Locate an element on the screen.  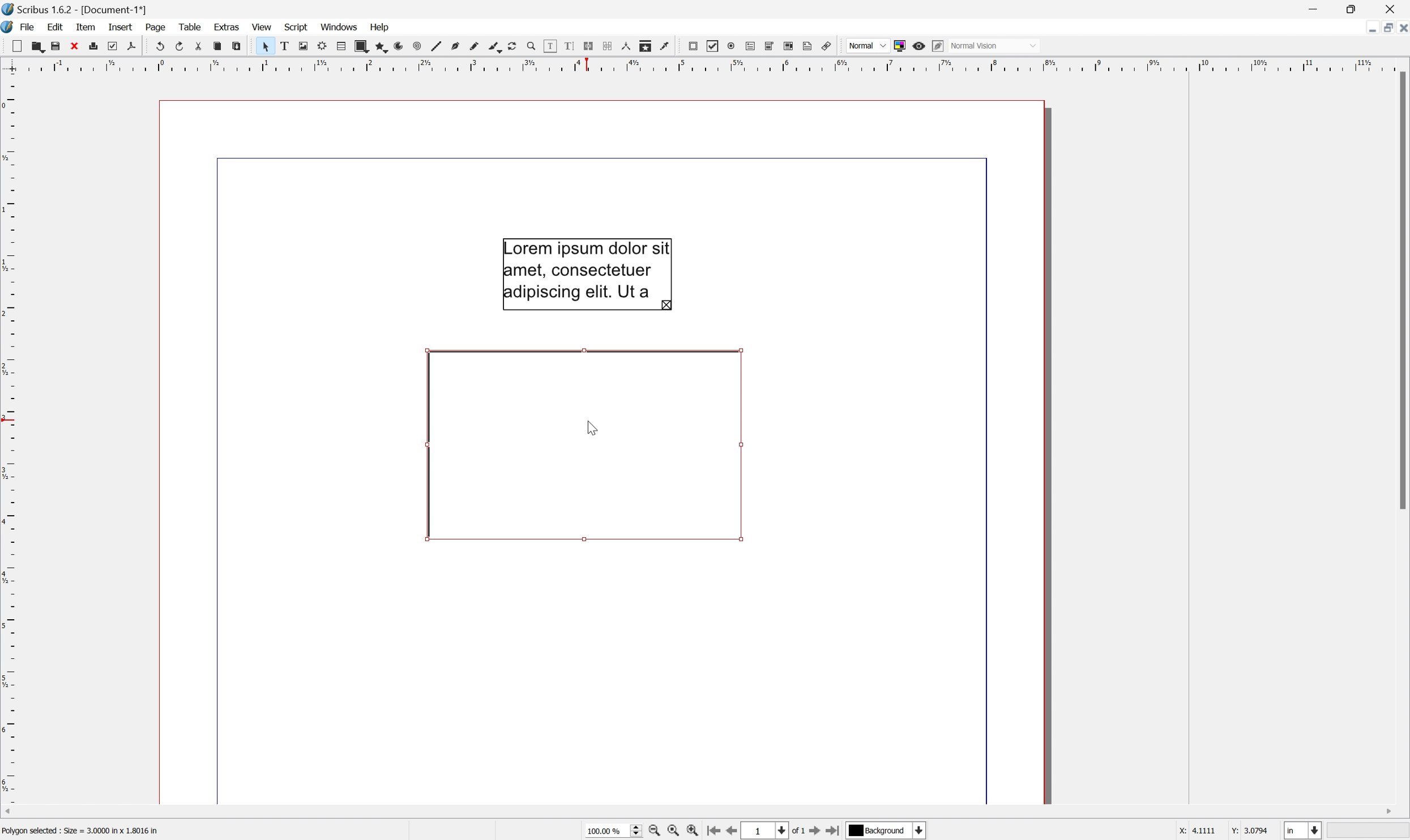
Scroll is located at coordinates (700, 813).